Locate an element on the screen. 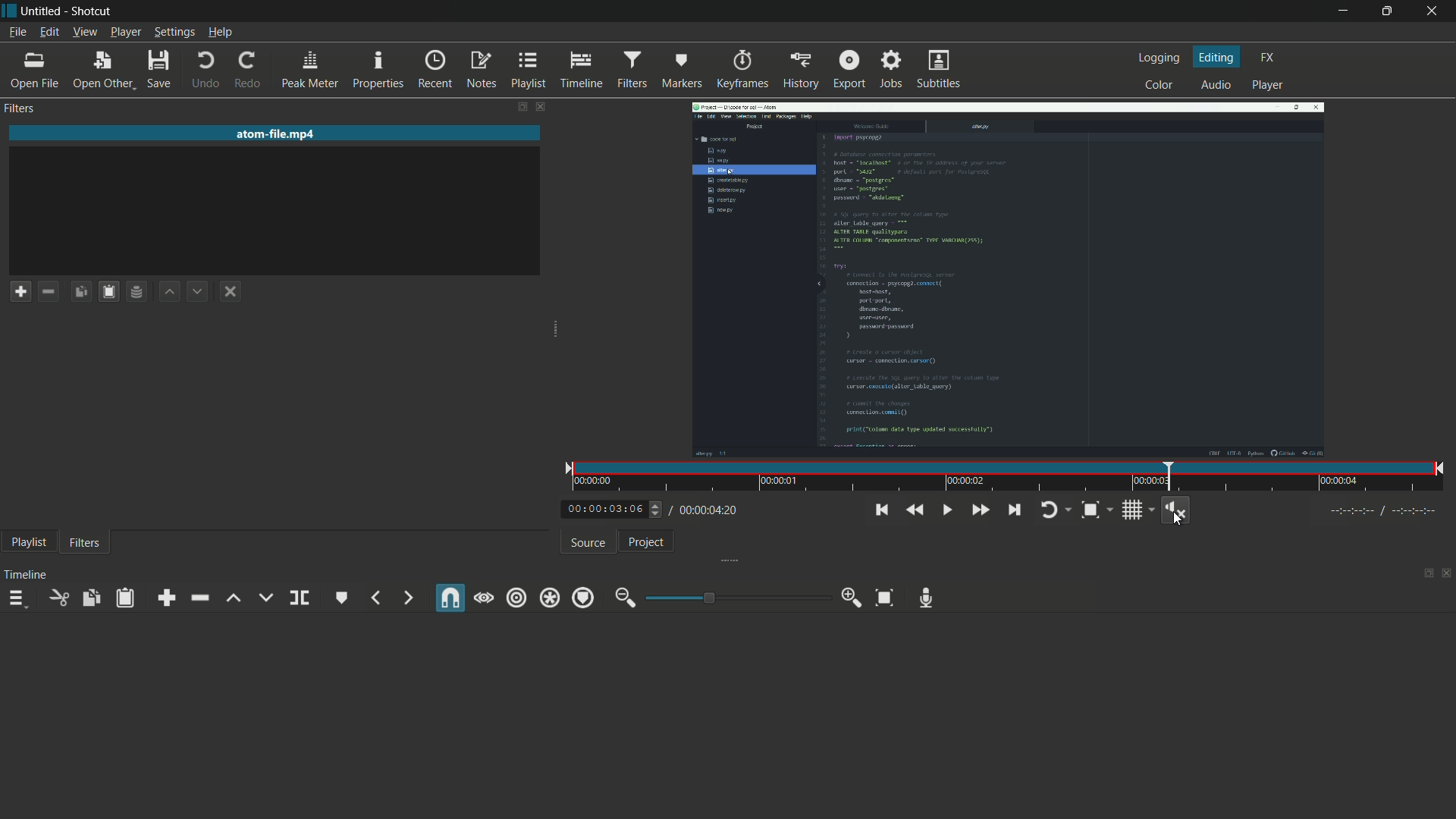 This screenshot has width=1456, height=819. open other is located at coordinates (103, 71).